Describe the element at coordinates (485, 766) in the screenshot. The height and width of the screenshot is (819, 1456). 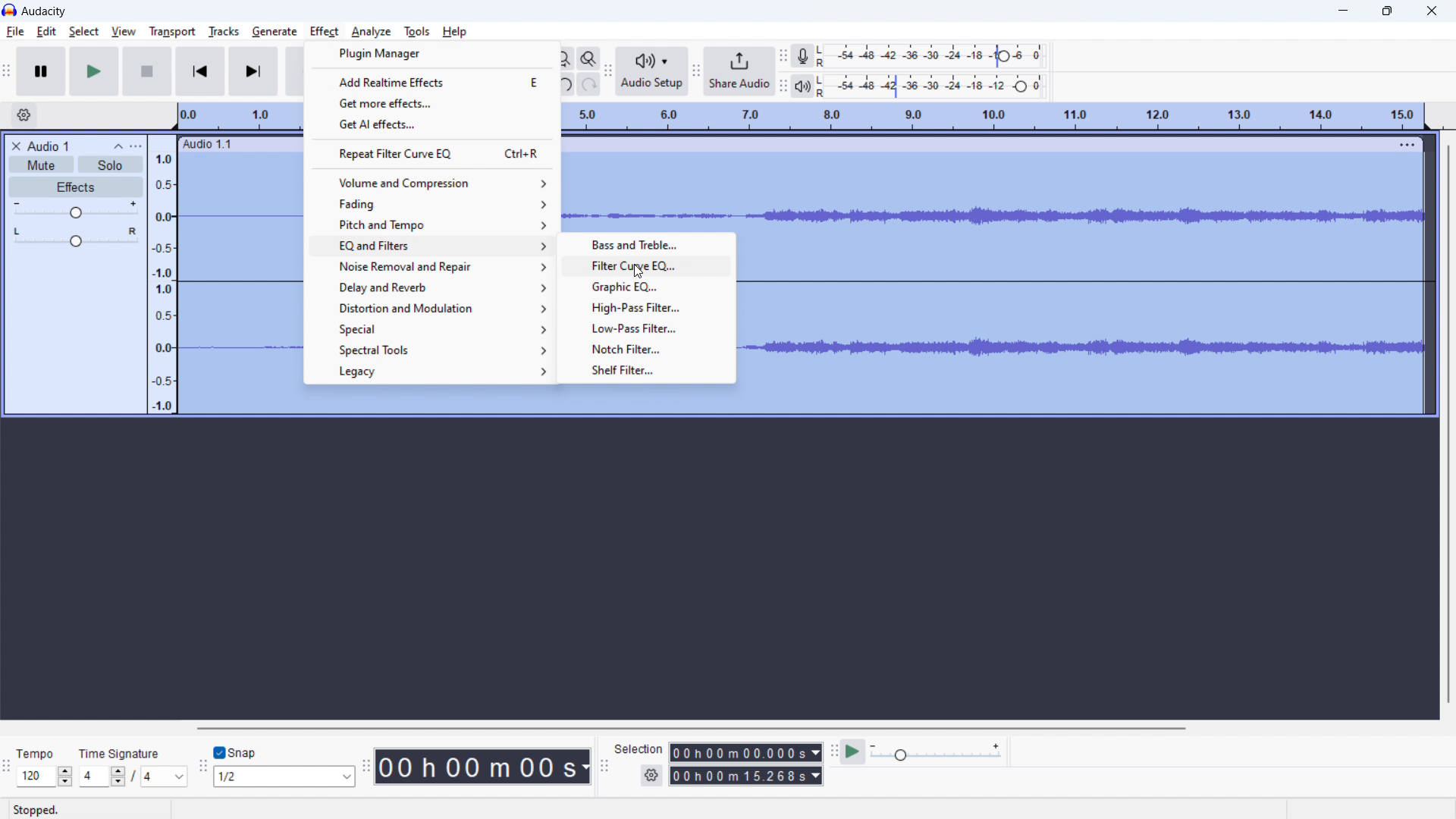
I see `00h 00 m 00 s 9timestamp)` at that location.